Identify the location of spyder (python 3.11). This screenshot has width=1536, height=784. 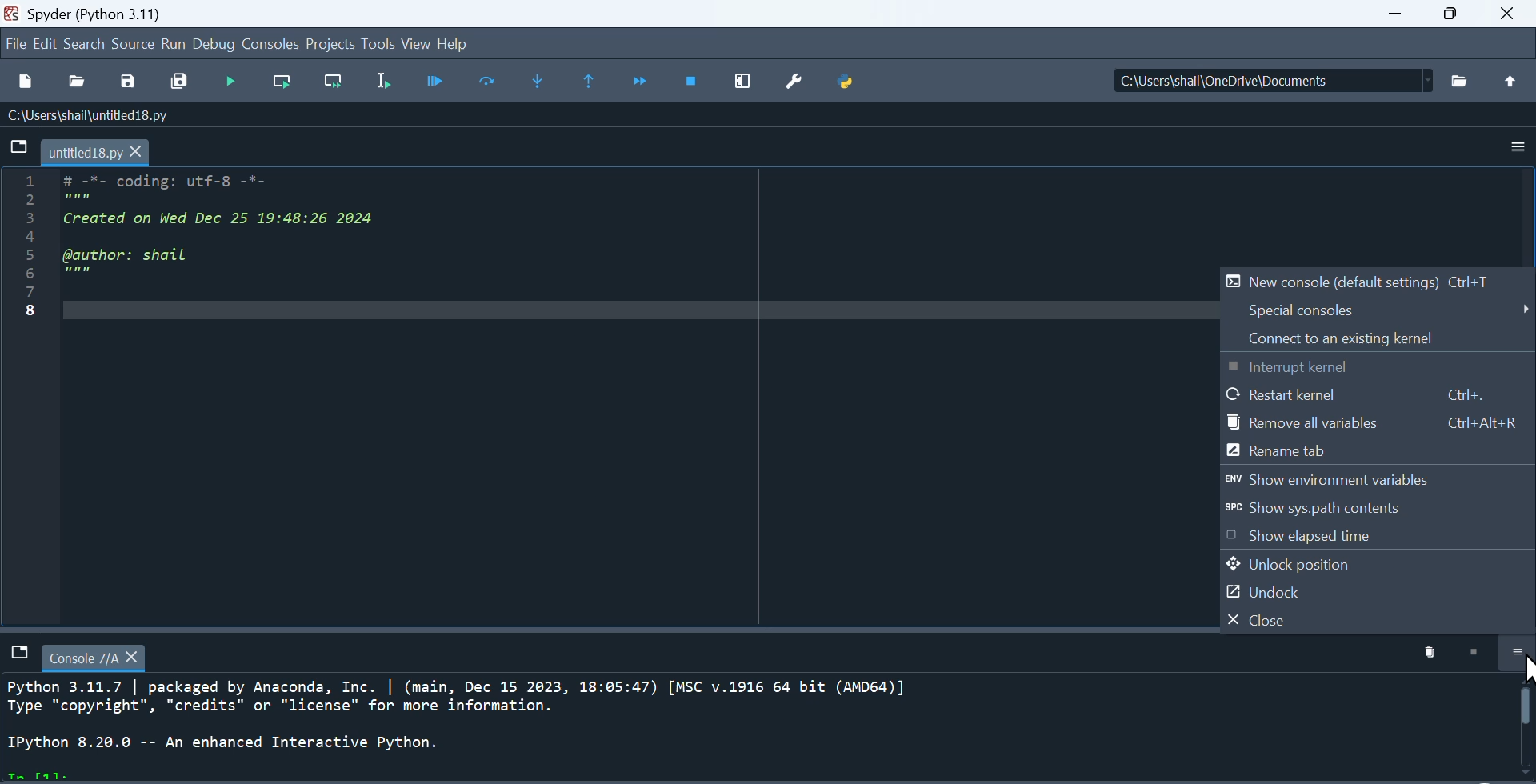
(111, 15).